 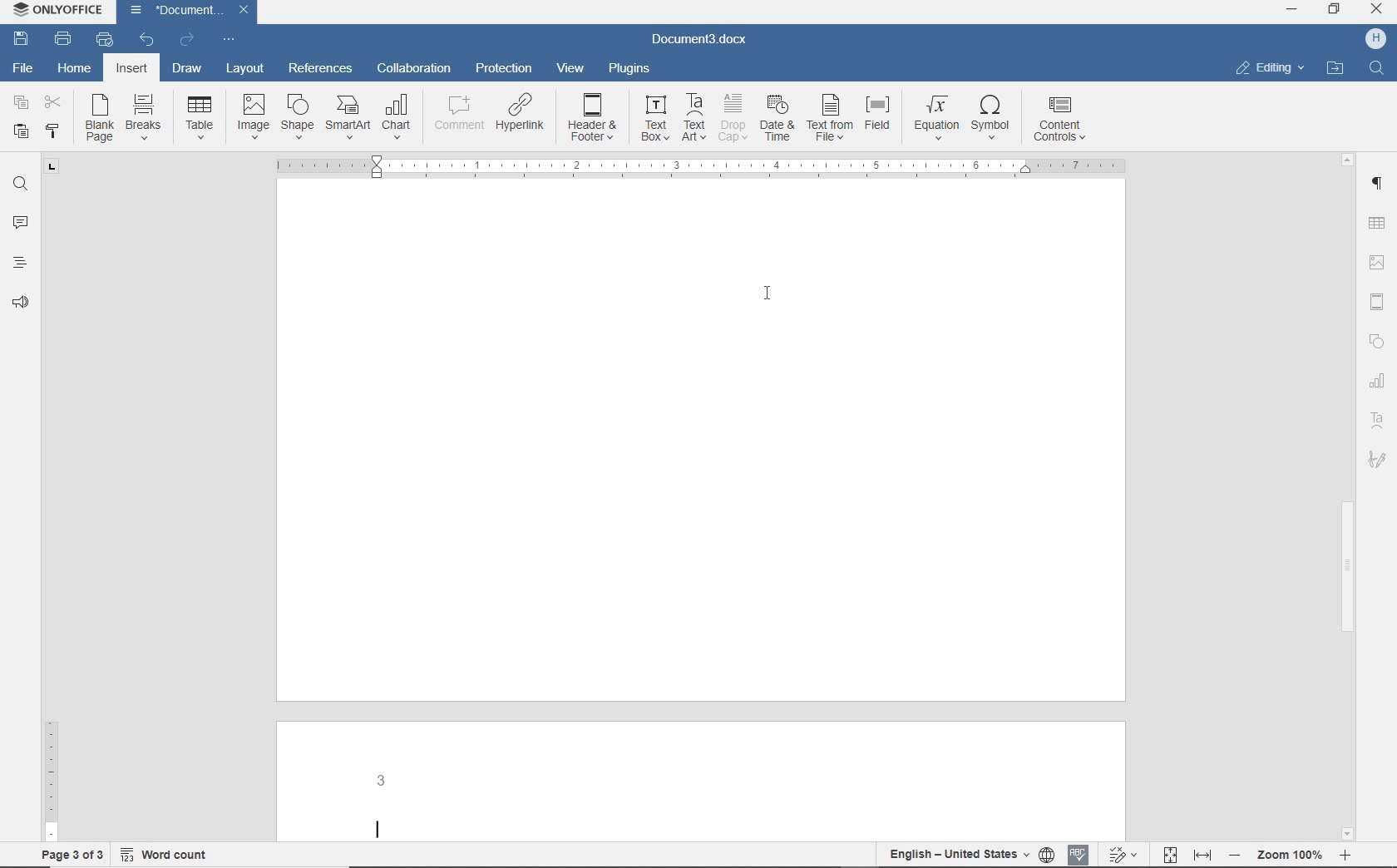 I want to click on TABLE, so click(x=1379, y=222).